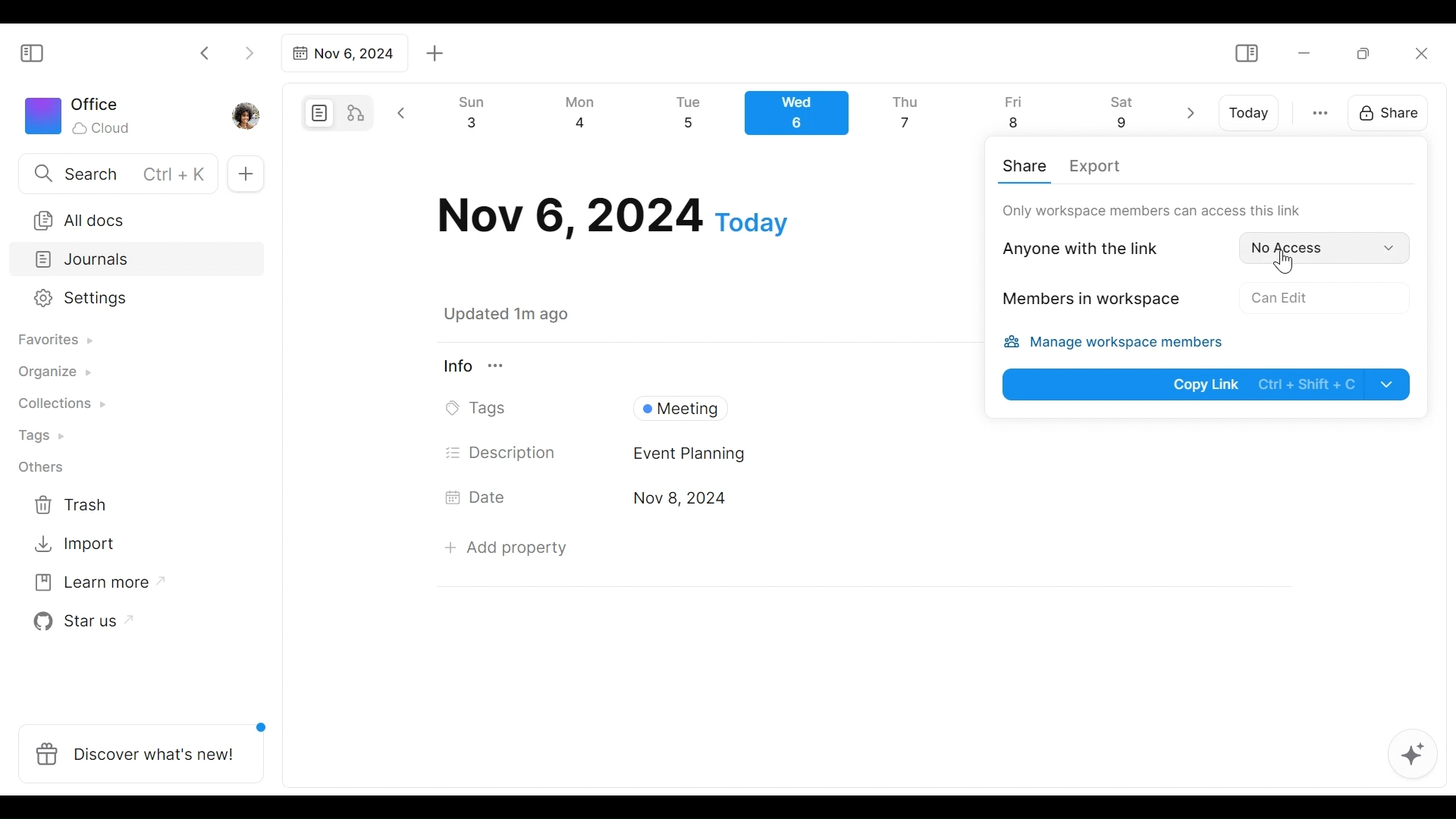  Describe the element at coordinates (53, 373) in the screenshot. I see `Organize` at that location.